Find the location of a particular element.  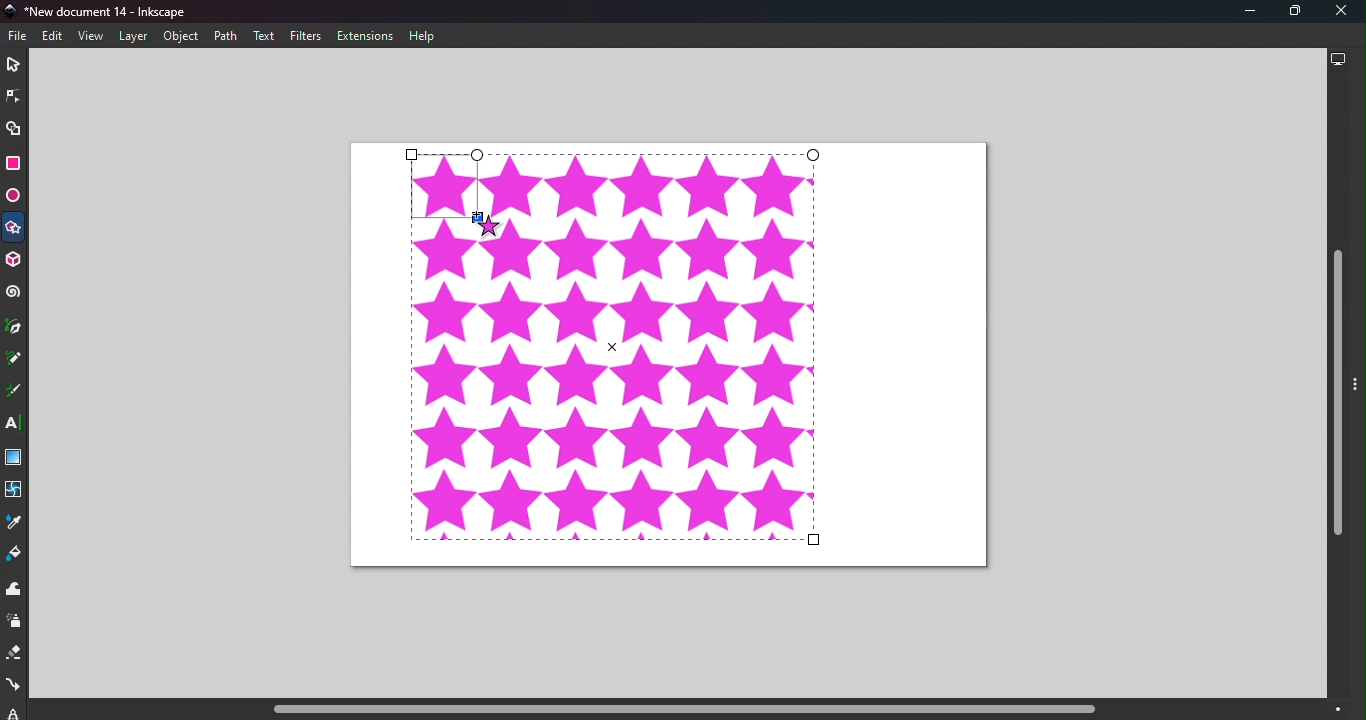

Canvas is located at coordinates (668, 359).